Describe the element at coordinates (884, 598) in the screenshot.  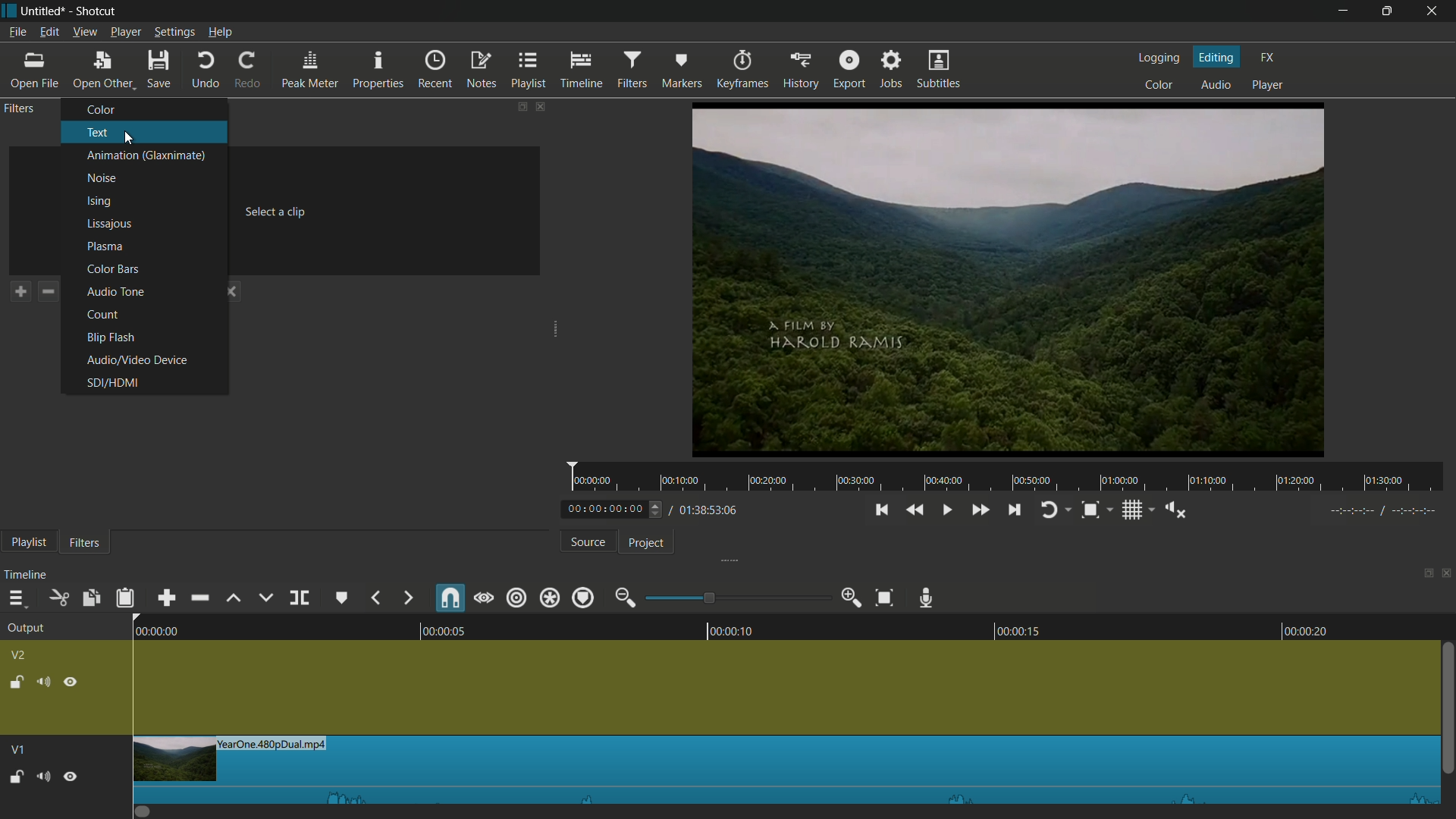
I see `zoom timeline to fit` at that location.